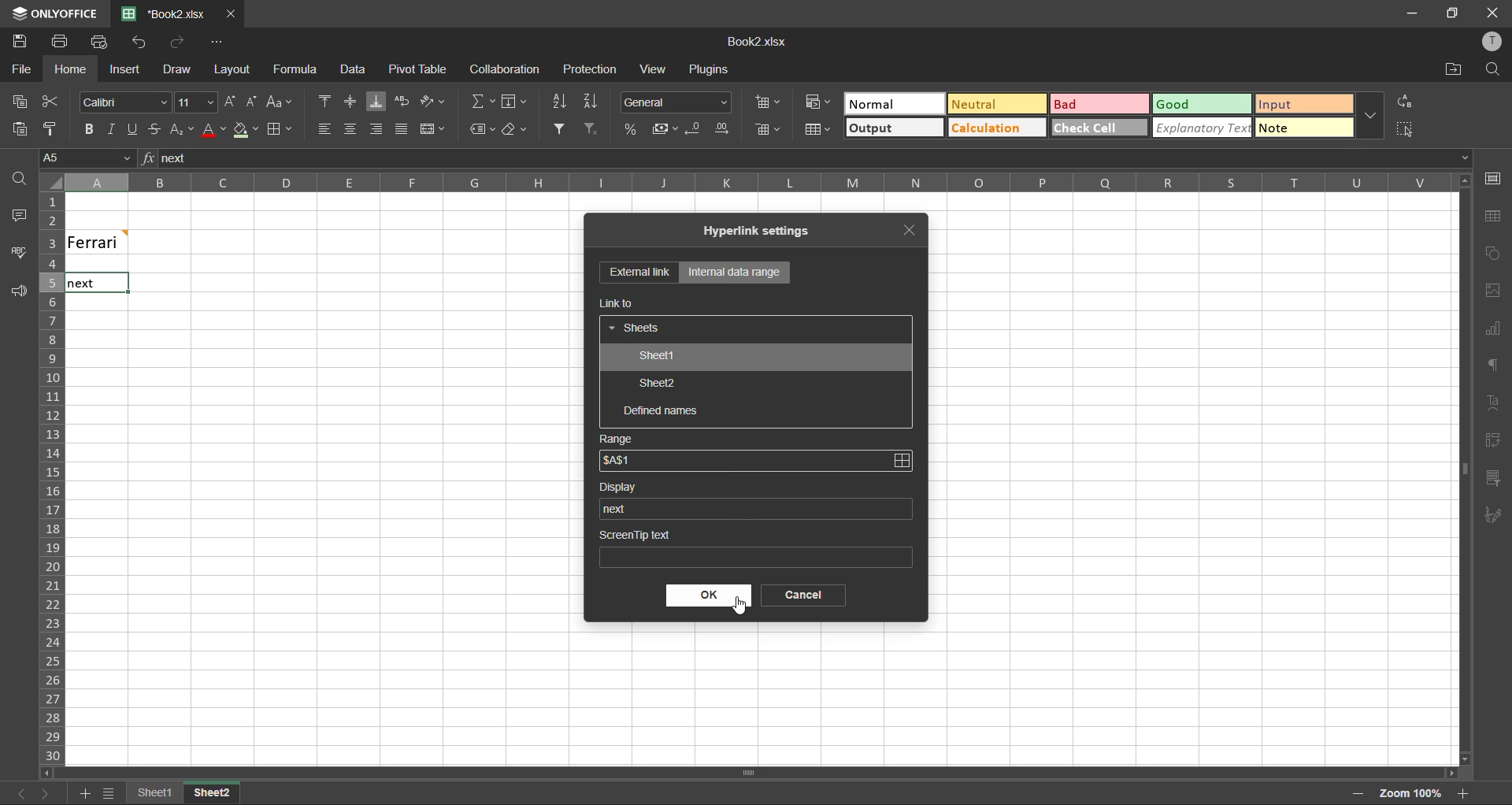 Image resolution: width=1512 pixels, height=805 pixels. What do you see at coordinates (876, 105) in the screenshot?
I see `normal` at bounding box center [876, 105].